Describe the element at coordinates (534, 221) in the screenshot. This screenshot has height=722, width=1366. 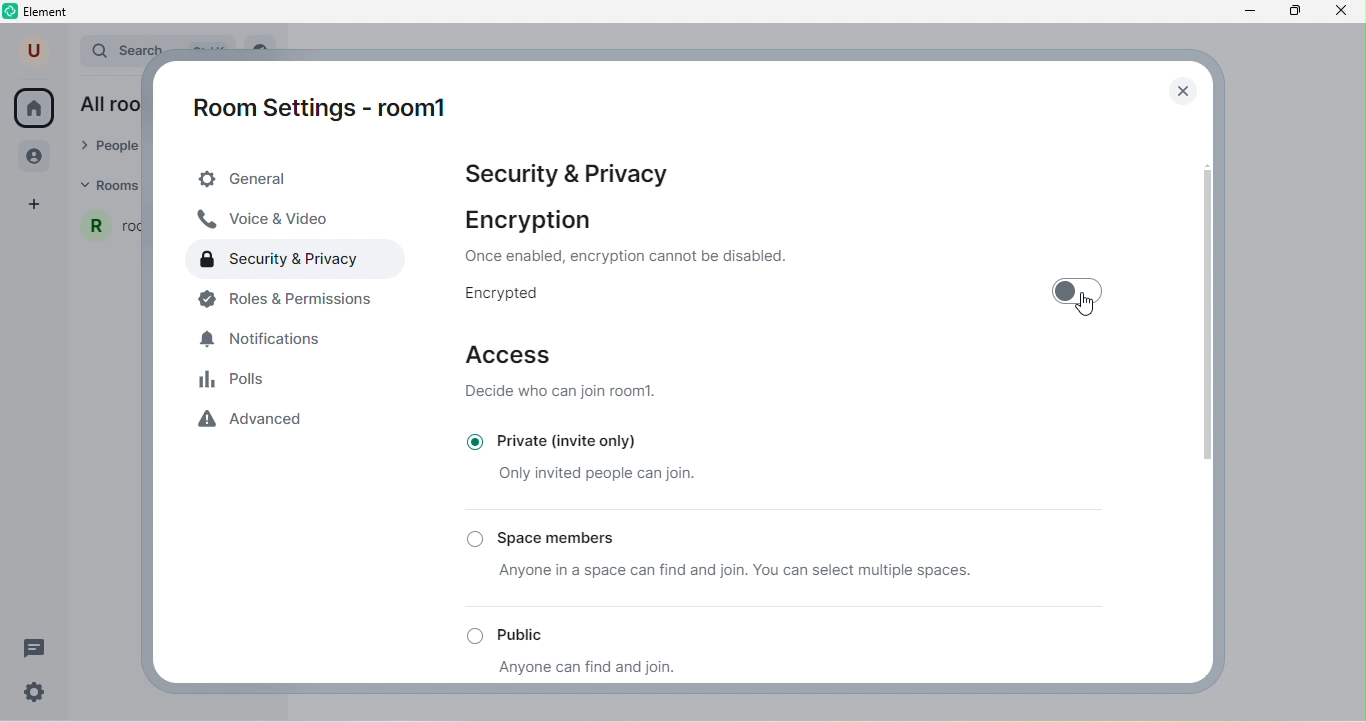
I see `encryption` at that location.